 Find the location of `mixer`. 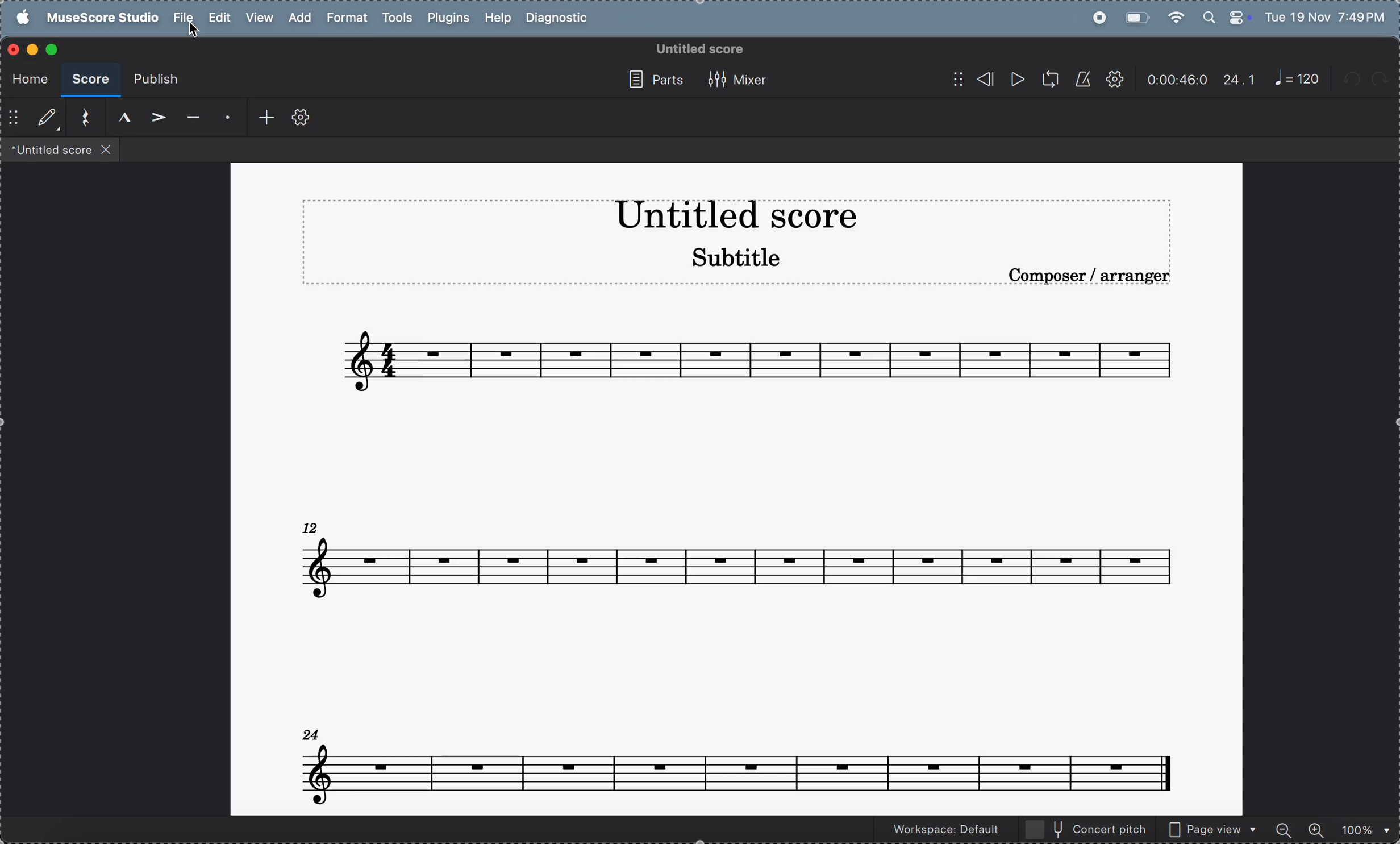

mixer is located at coordinates (741, 79).